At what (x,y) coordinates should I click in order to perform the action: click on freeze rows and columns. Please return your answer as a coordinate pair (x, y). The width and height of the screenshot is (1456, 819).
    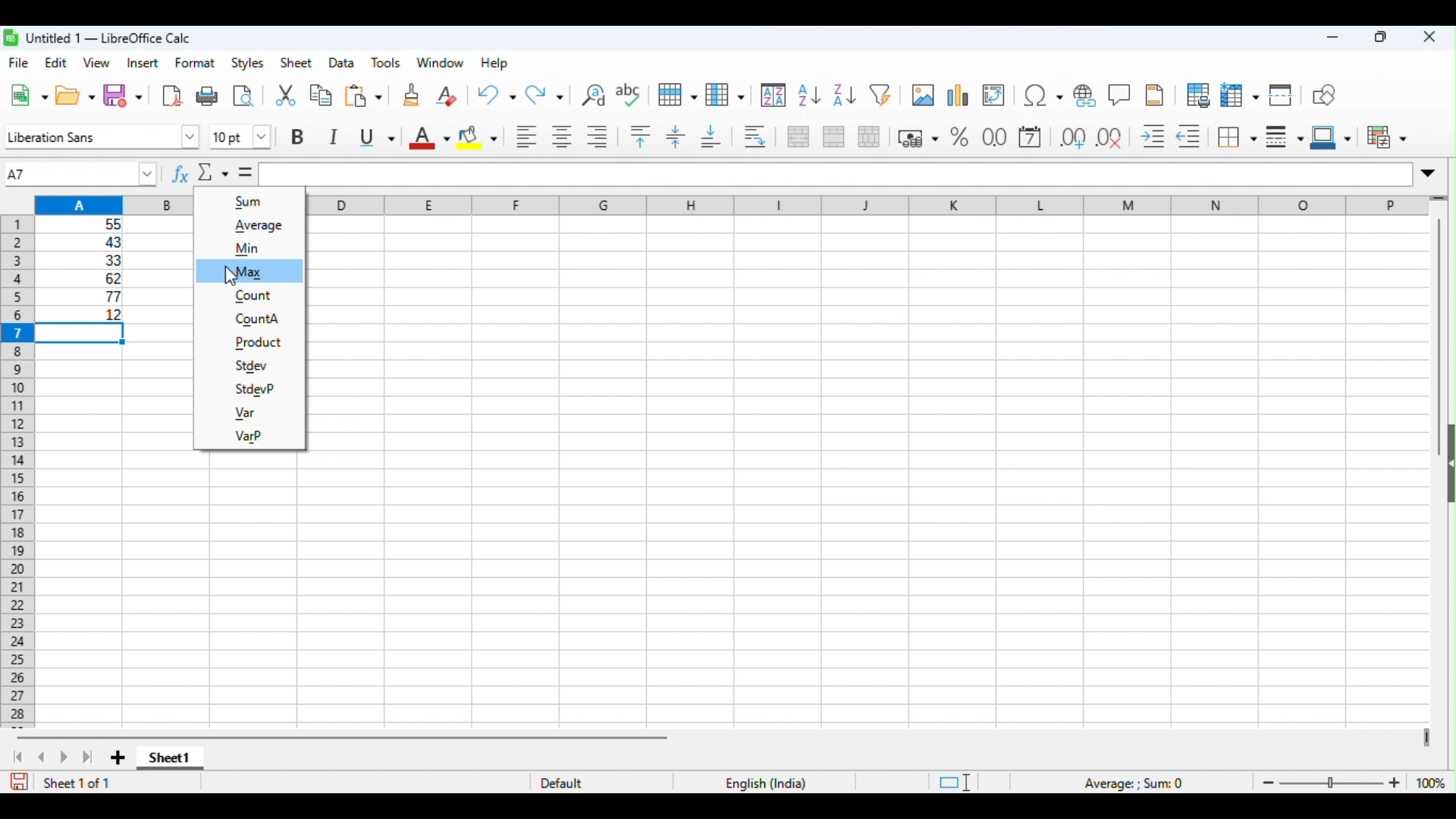
    Looking at the image, I should click on (1241, 94).